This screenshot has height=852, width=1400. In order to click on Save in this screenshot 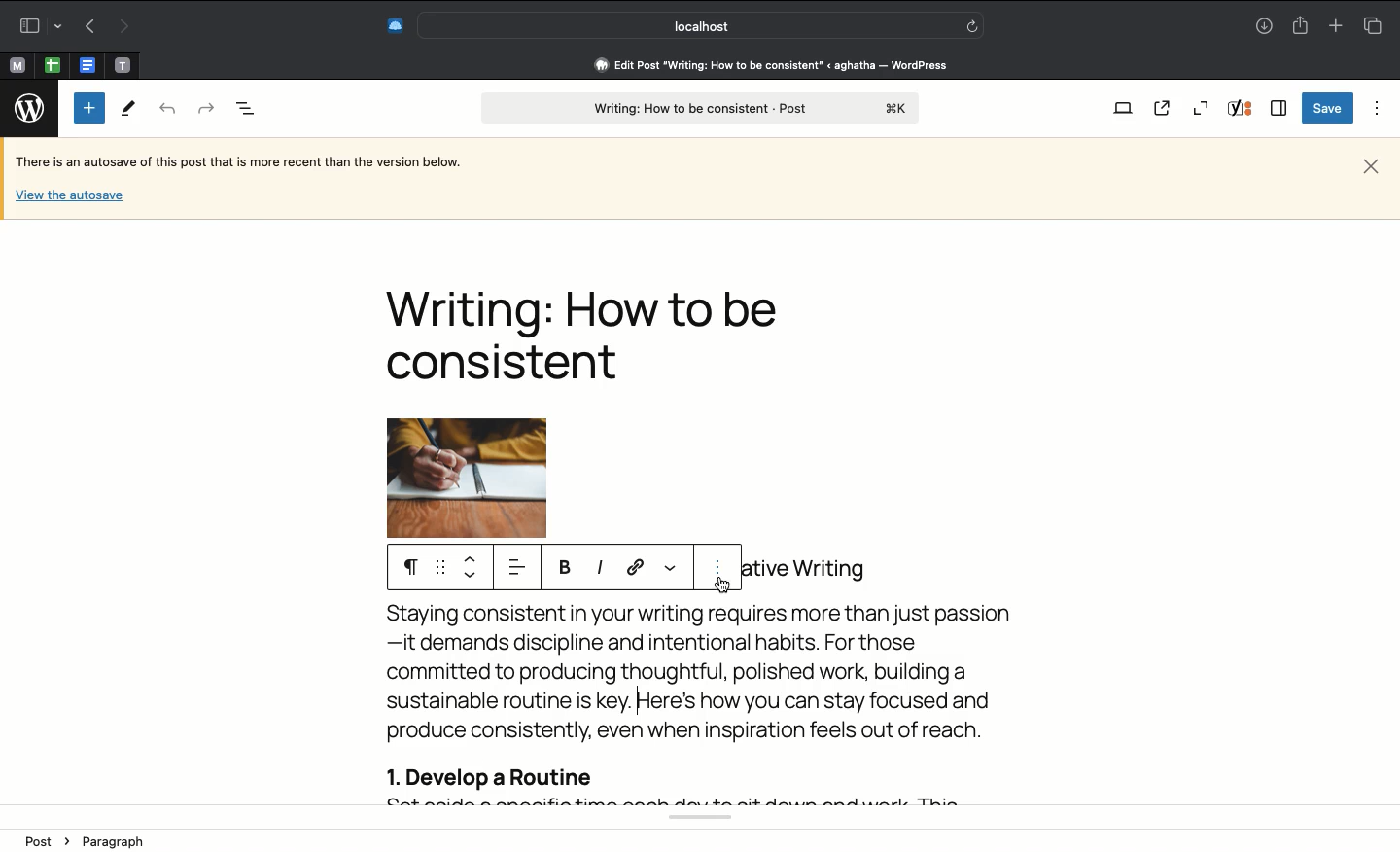, I will do `click(1325, 109)`.